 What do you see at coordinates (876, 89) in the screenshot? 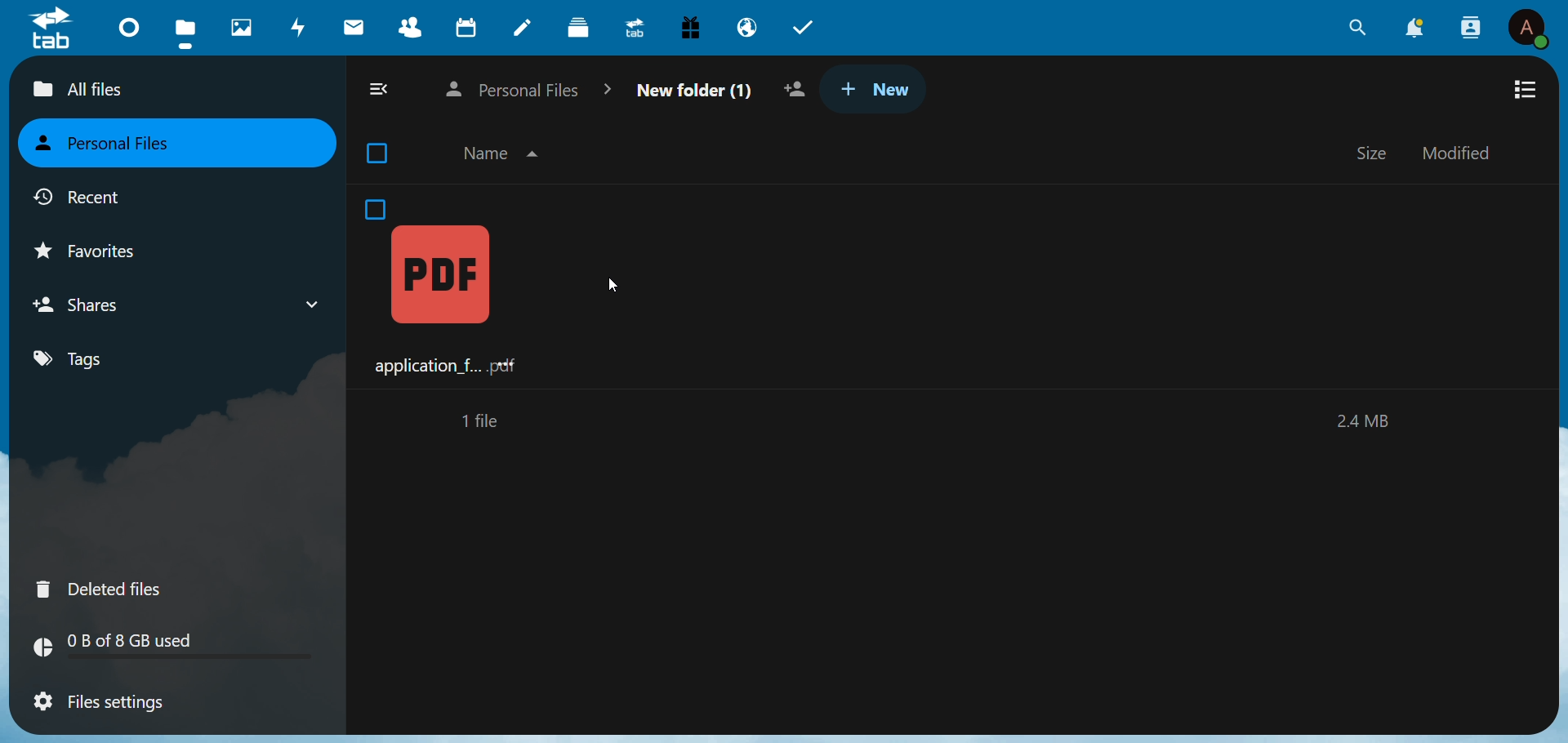
I see `new` at bounding box center [876, 89].